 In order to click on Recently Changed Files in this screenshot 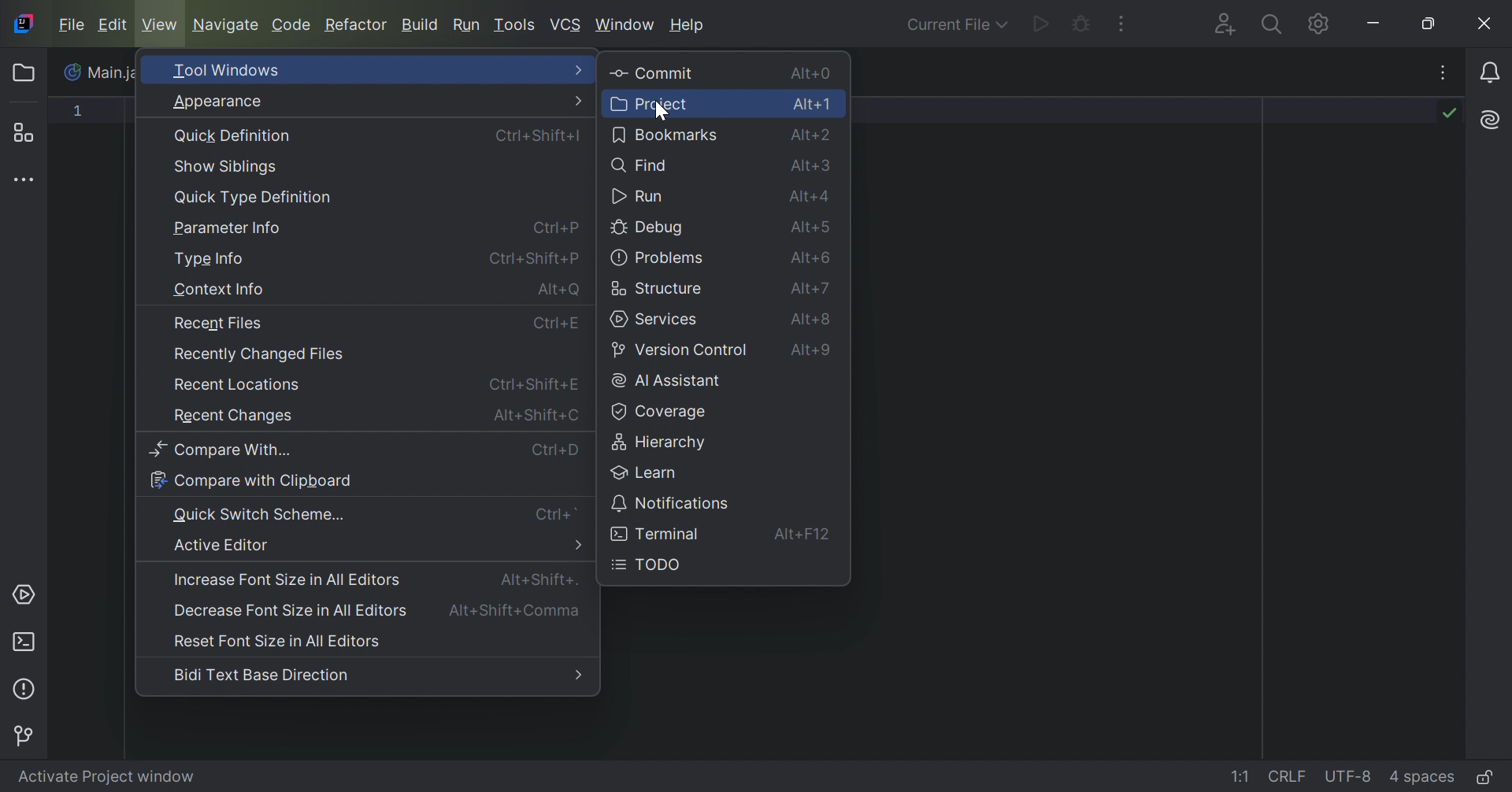, I will do `click(260, 355)`.